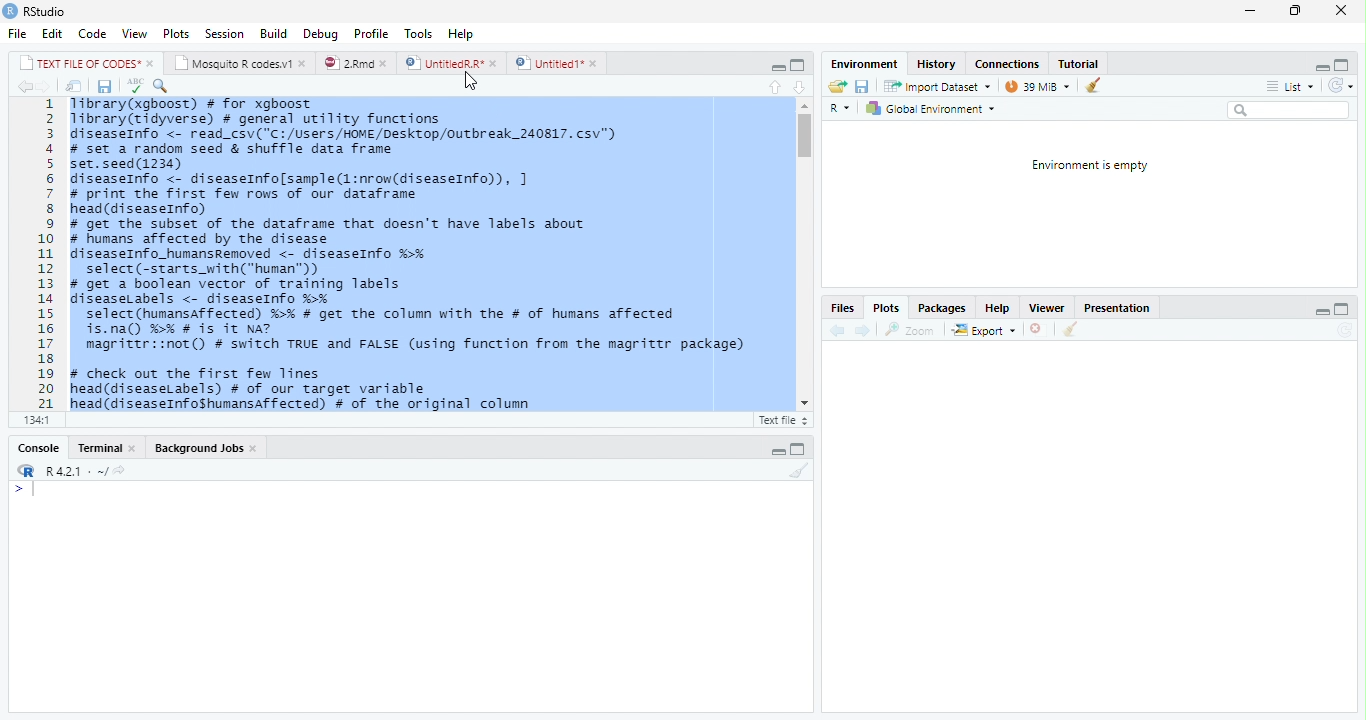 The image size is (1366, 720). What do you see at coordinates (305, 388) in the screenshot?
I see `# check out the first few Tines
head(diseaseLabels) # of our target variable
head(diseaseInfoShumansaffected) # of the original column` at bounding box center [305, 388].